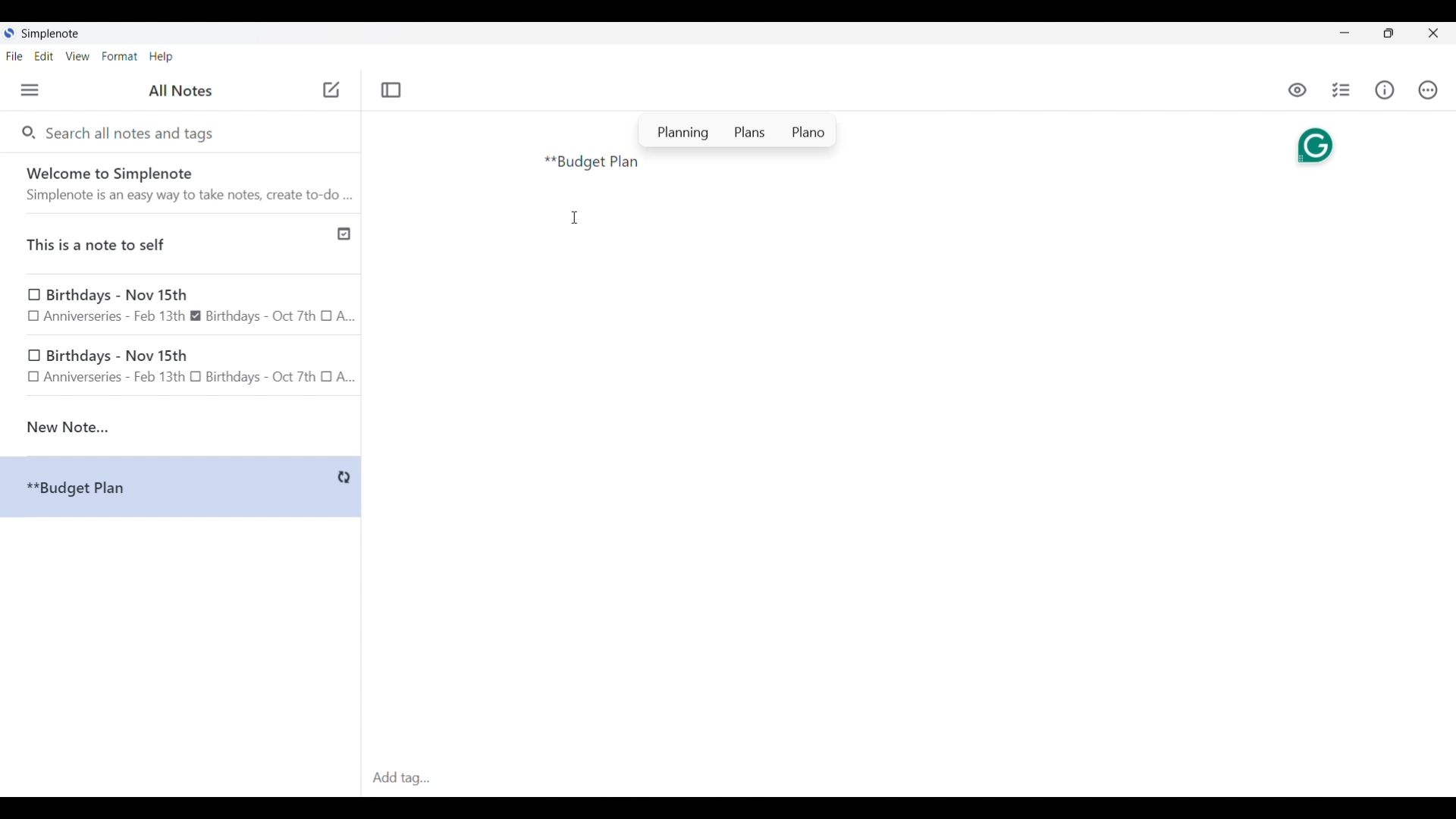  Describe the element at coordinates (331, 89) in the screenshot. I see `Click to add new note` at that location.